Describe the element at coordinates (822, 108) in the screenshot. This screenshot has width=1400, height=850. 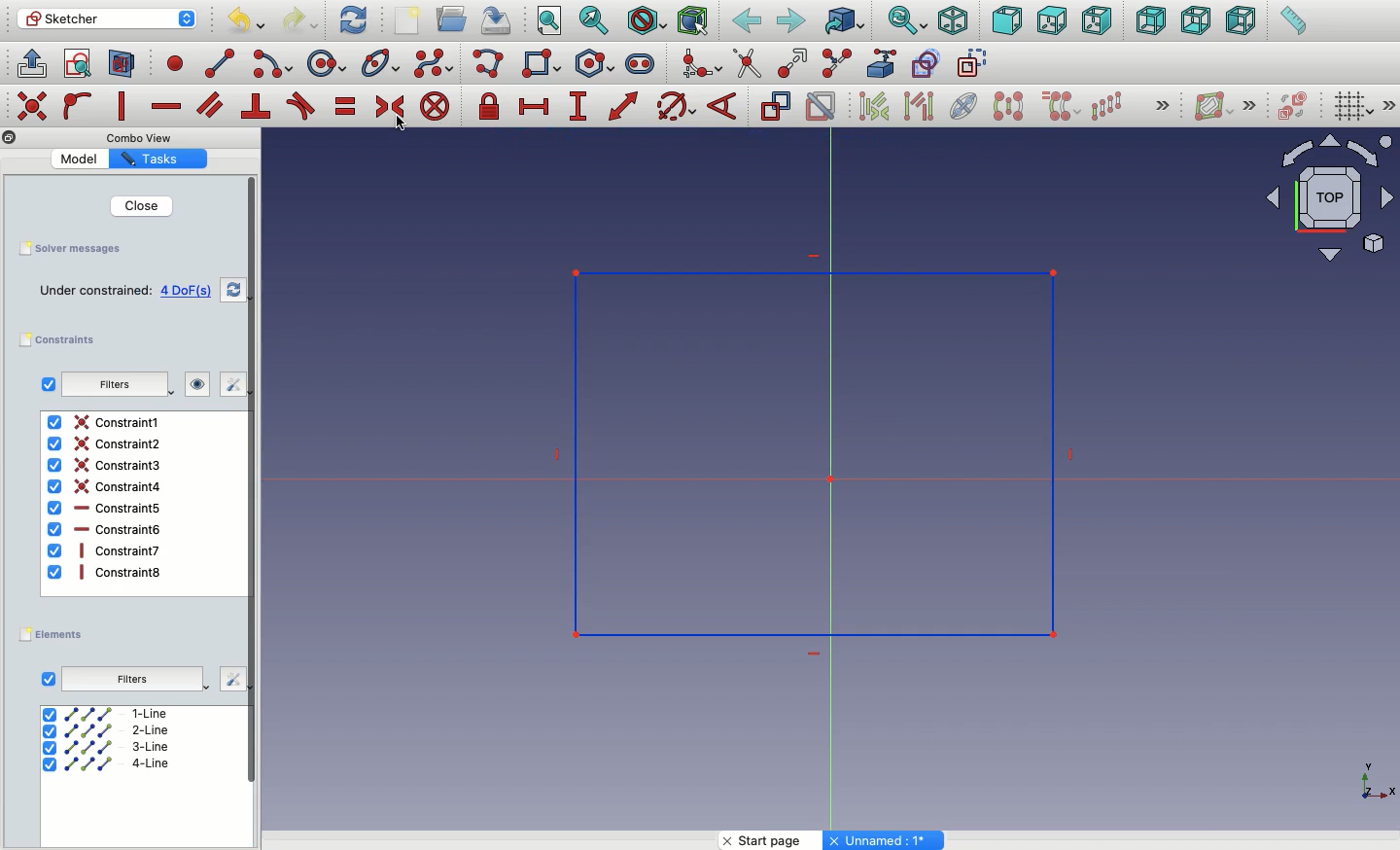
I see `Activate deactivate constraint` at that location.